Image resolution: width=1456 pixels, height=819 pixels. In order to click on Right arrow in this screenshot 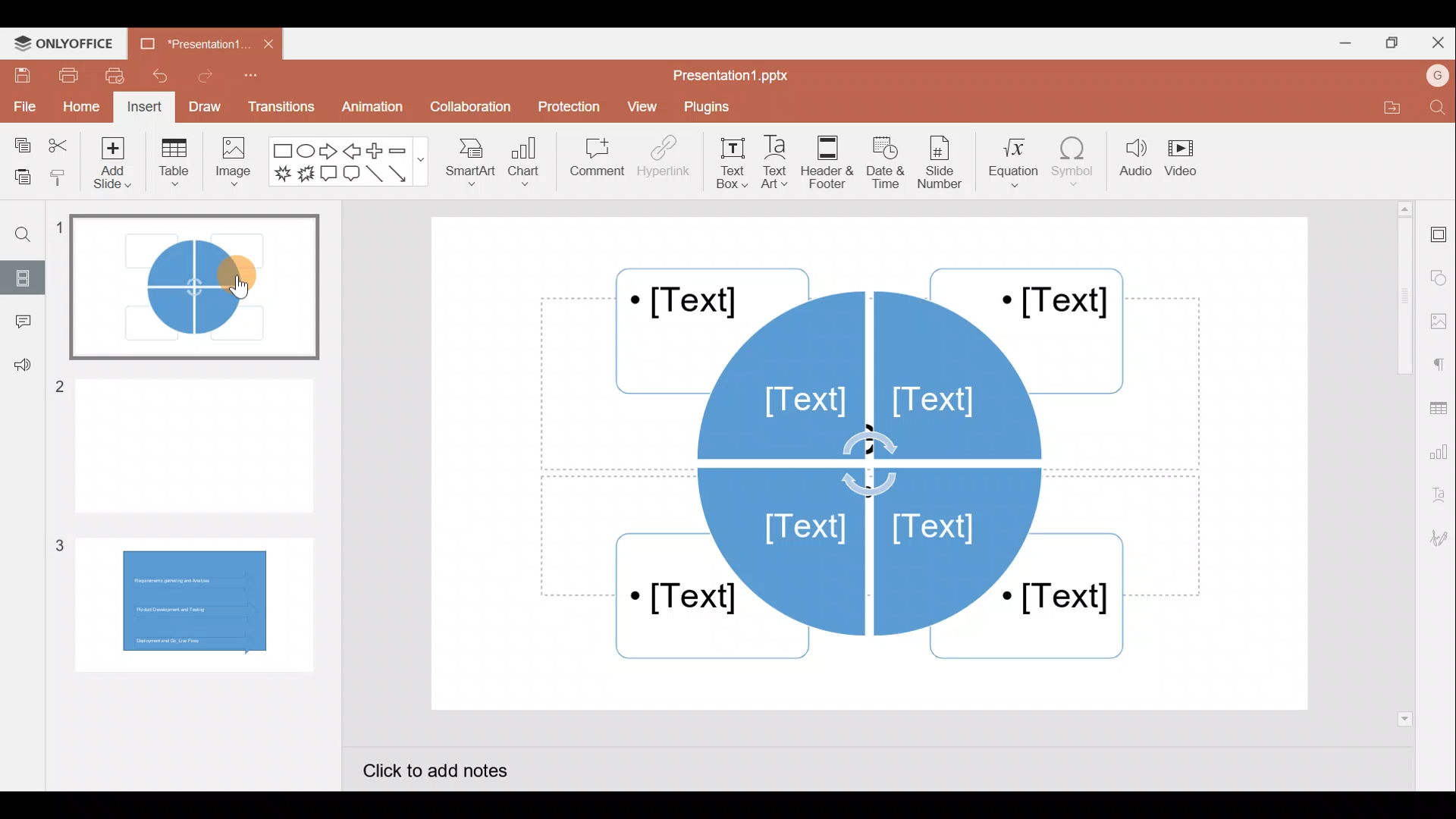, I will do `click(329, 152)`.